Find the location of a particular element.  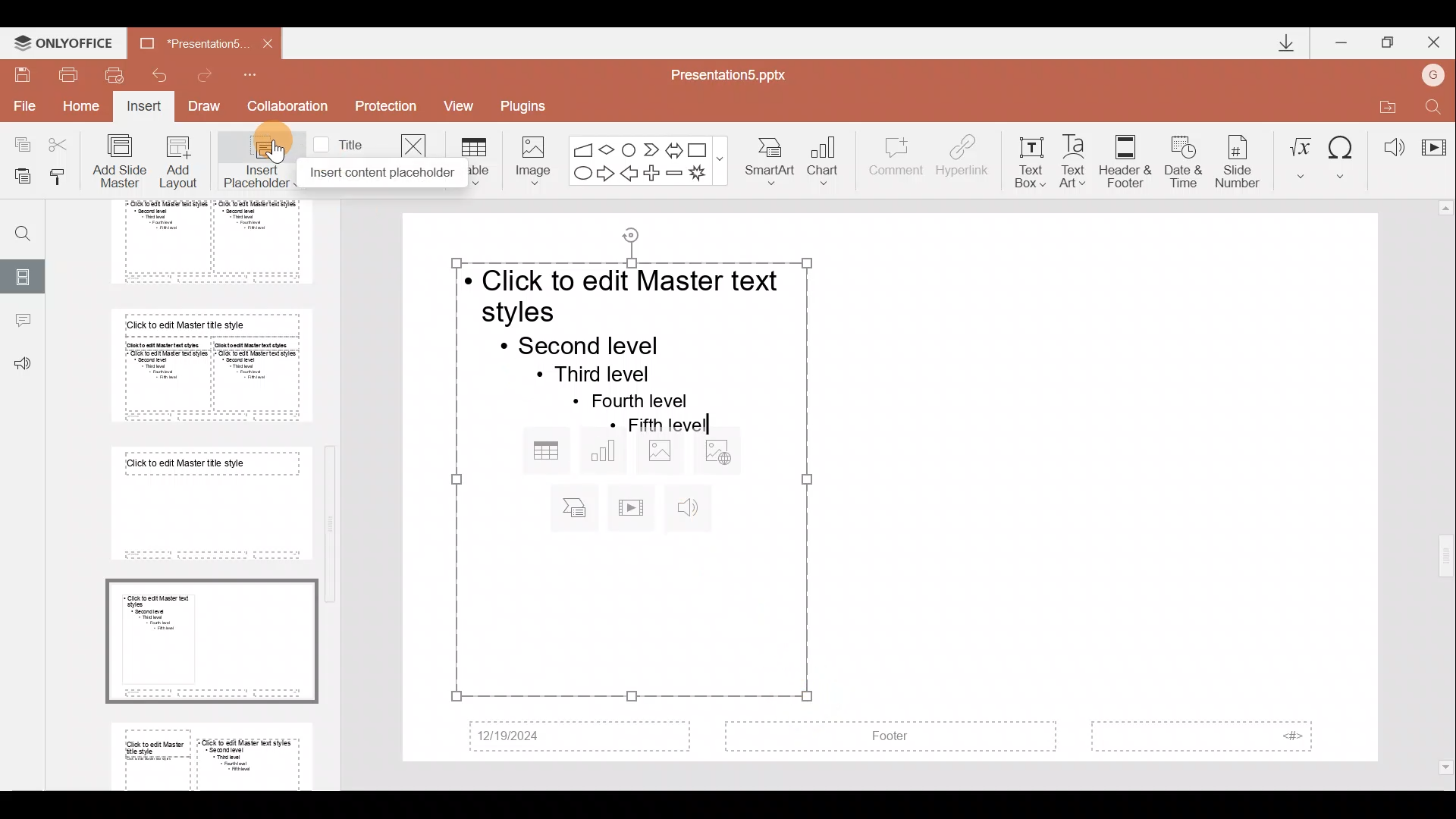

Insert placeholder is located at coordinates (251, 158).